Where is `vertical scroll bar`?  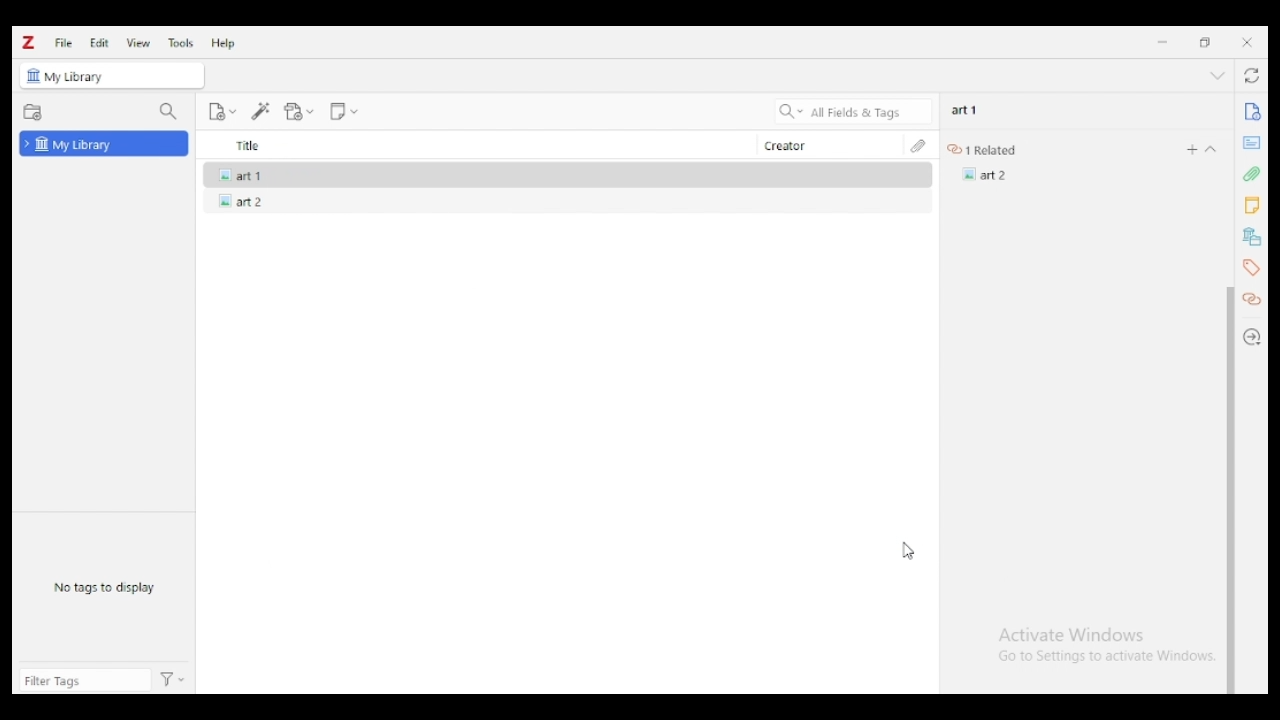
vertical scroll bar is located at coordinates (1230, 490).